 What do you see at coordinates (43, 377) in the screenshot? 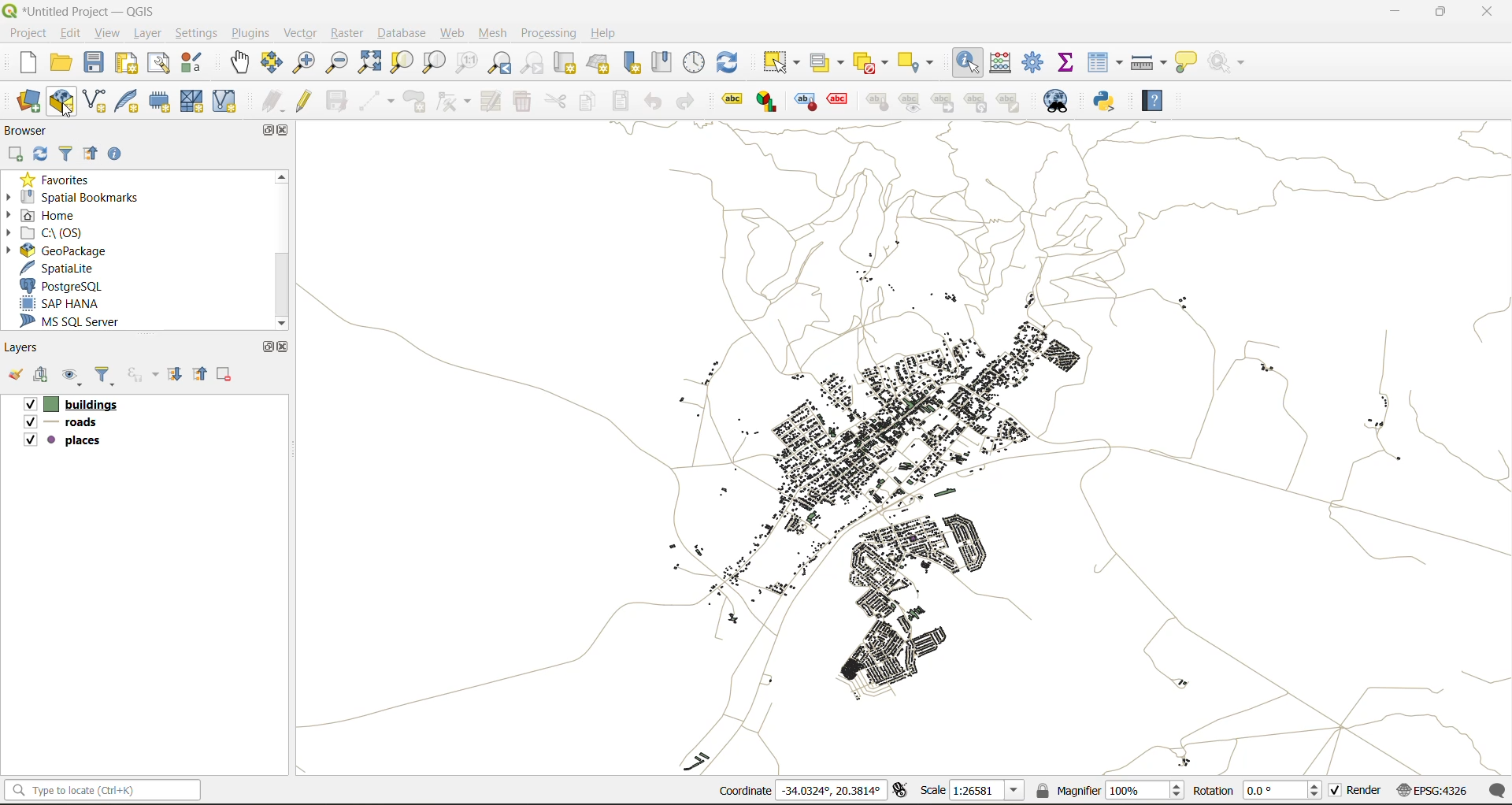
I see `add` at bounding box center [43, 377].